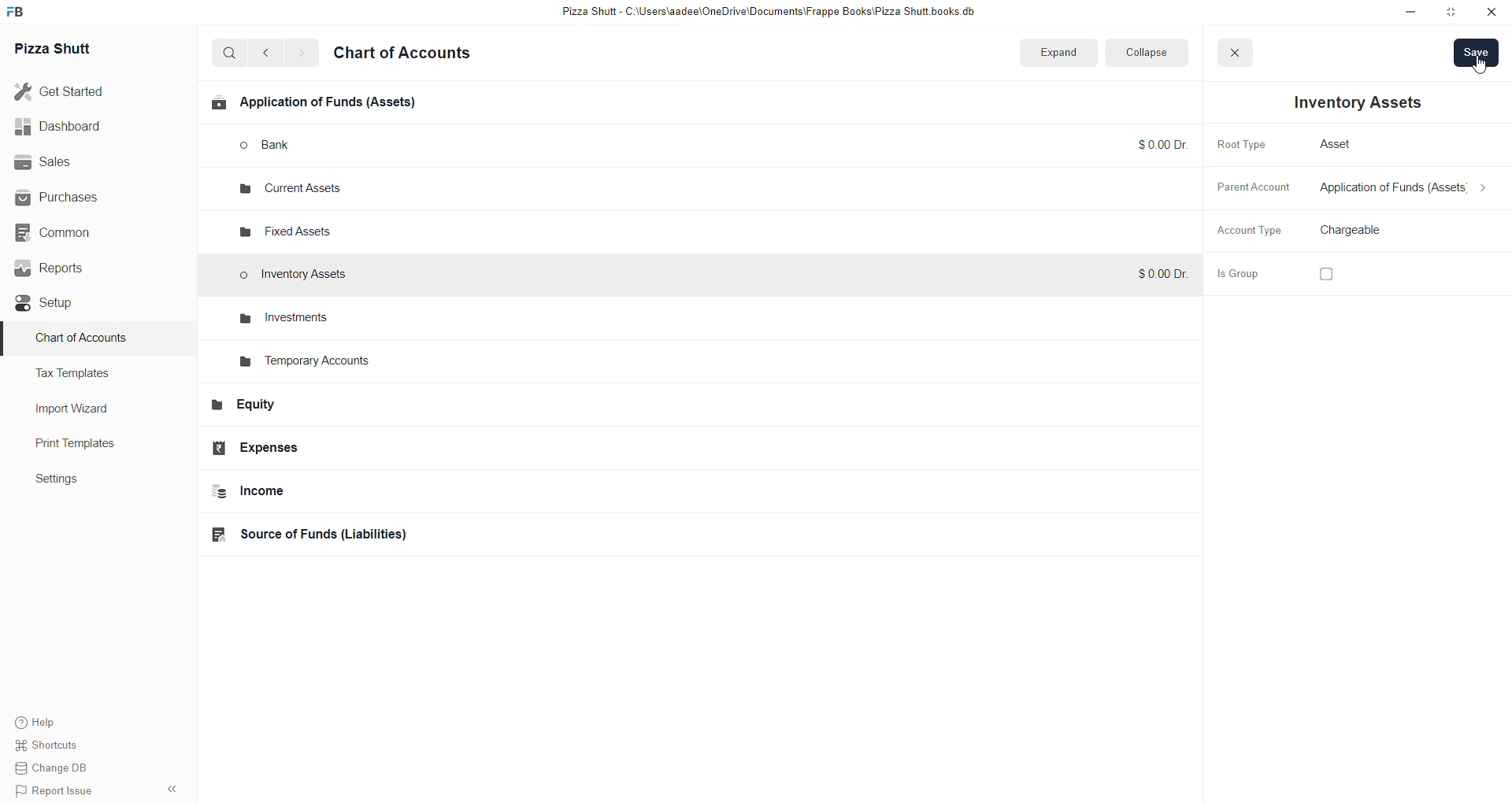 The image size is (1512, 803). What do you see at coordinates (1473, 53) in the screenshot?
I see `save` at bounding box center [1473, 53].